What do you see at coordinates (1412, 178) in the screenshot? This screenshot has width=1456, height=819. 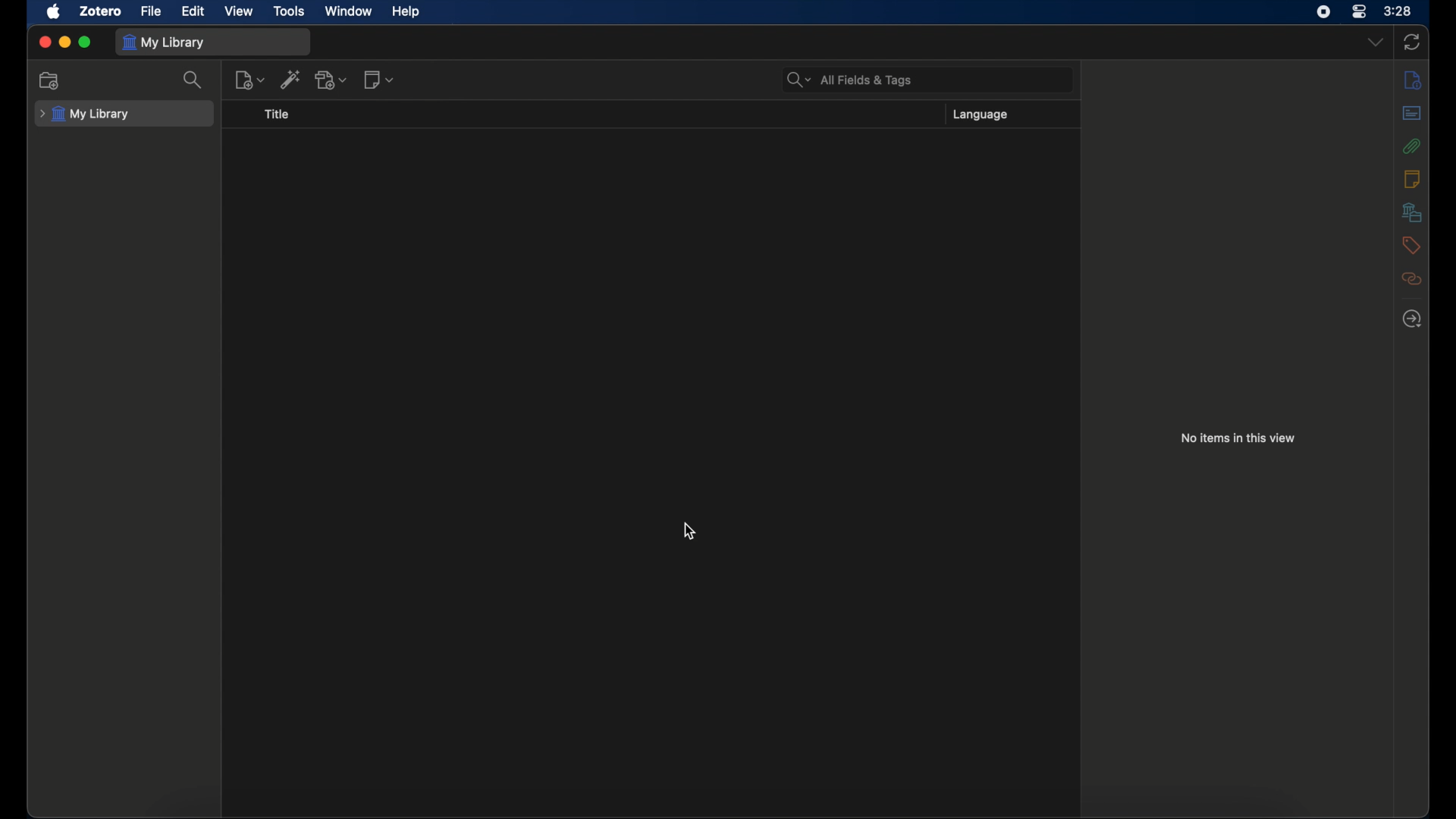 I see `info` at bounding box center [1412, 178].